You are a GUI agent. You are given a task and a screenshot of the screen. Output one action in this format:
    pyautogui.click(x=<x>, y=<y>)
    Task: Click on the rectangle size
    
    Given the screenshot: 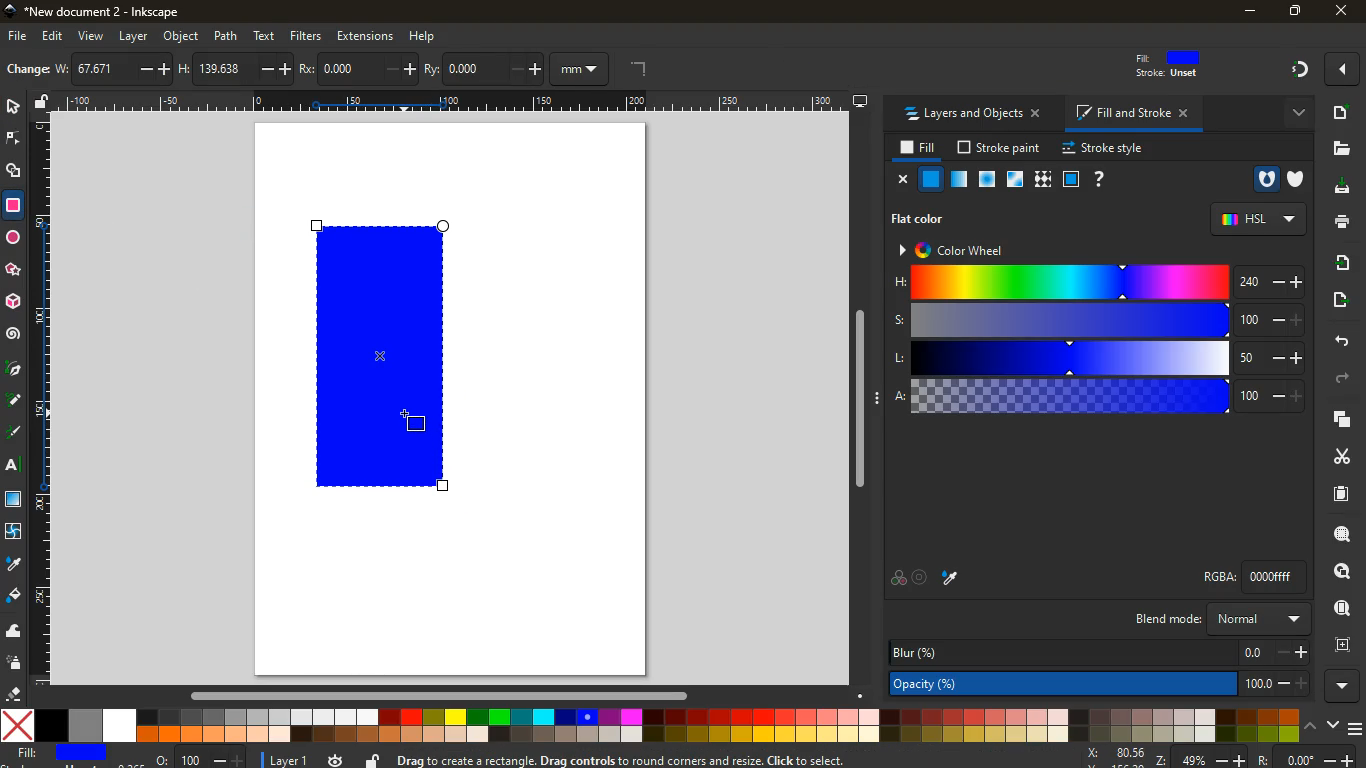 What is the action you would take?
    pyautogui.click(x=51, y=358)
    